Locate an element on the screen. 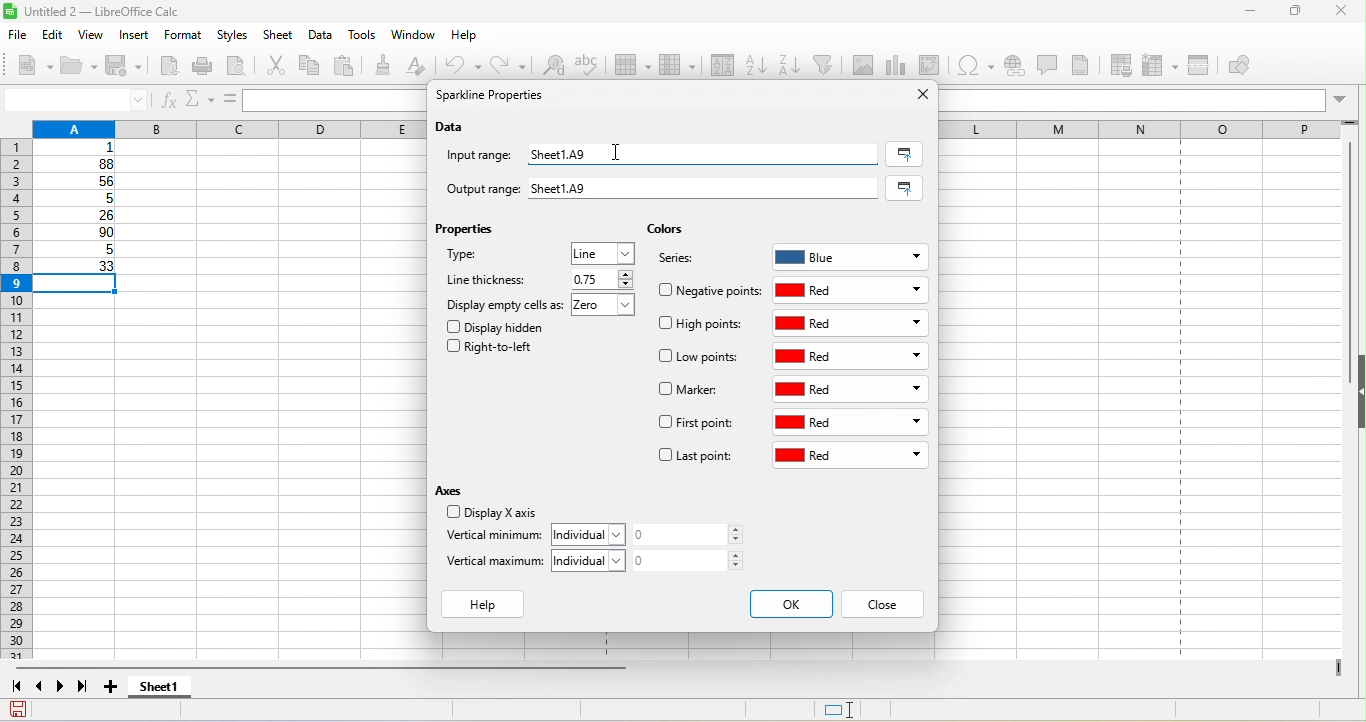 The height and width of the screenshot is (722, 1366). scroll to first sheet is located at coordinates (16, 687).